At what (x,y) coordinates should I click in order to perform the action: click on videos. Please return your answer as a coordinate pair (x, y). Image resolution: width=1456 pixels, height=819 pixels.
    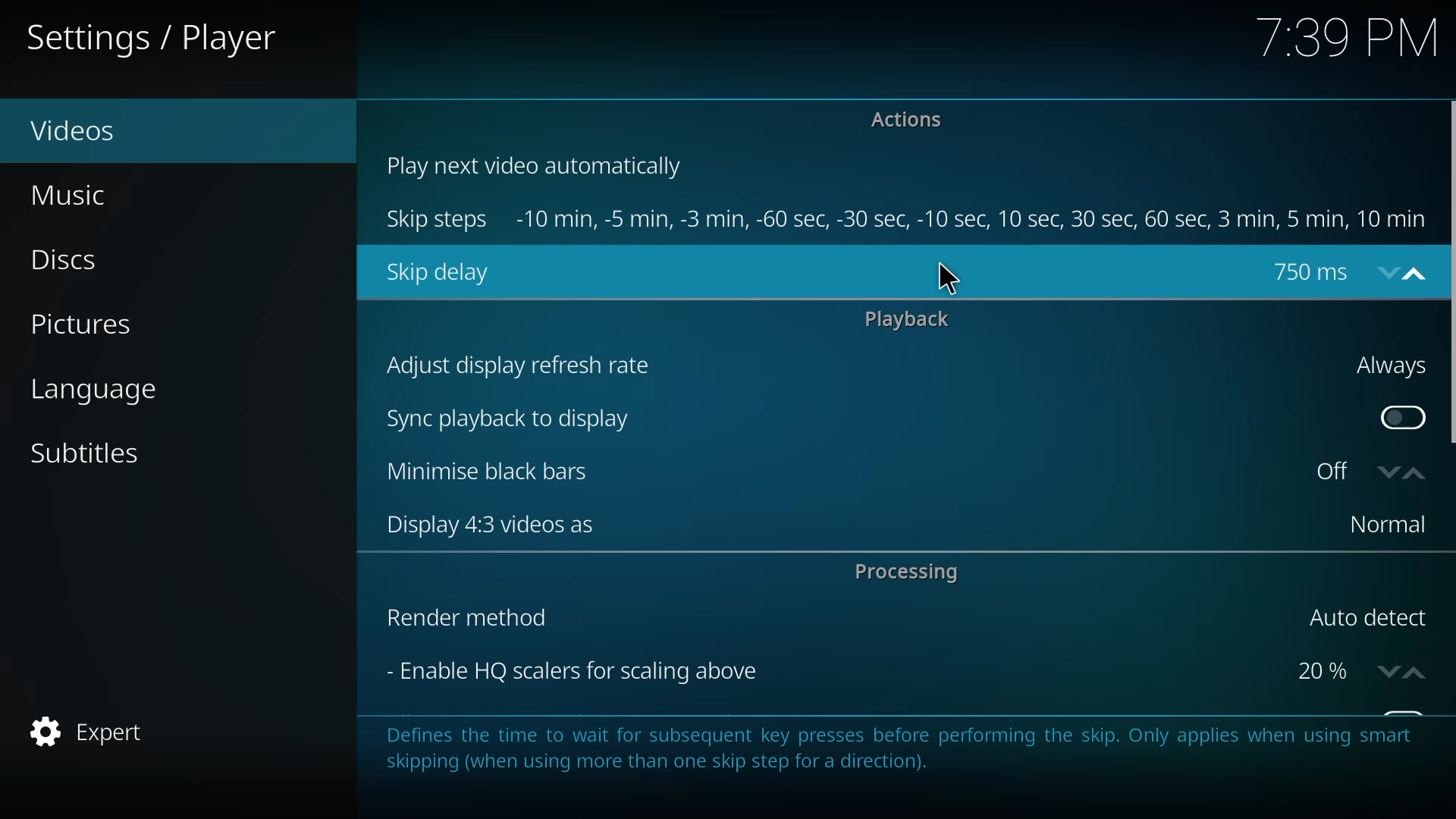
    Looking at the image, I should click on (83, 130).